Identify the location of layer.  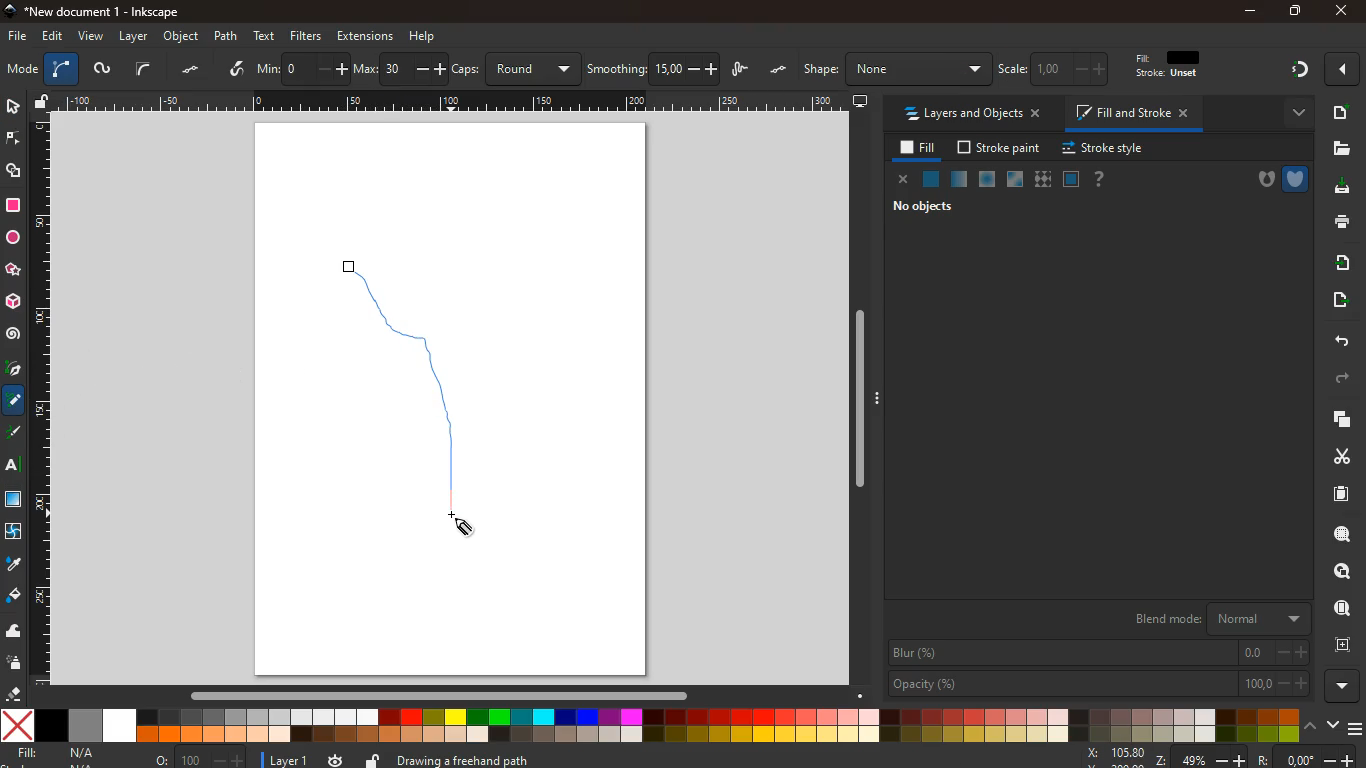
(134, 36).